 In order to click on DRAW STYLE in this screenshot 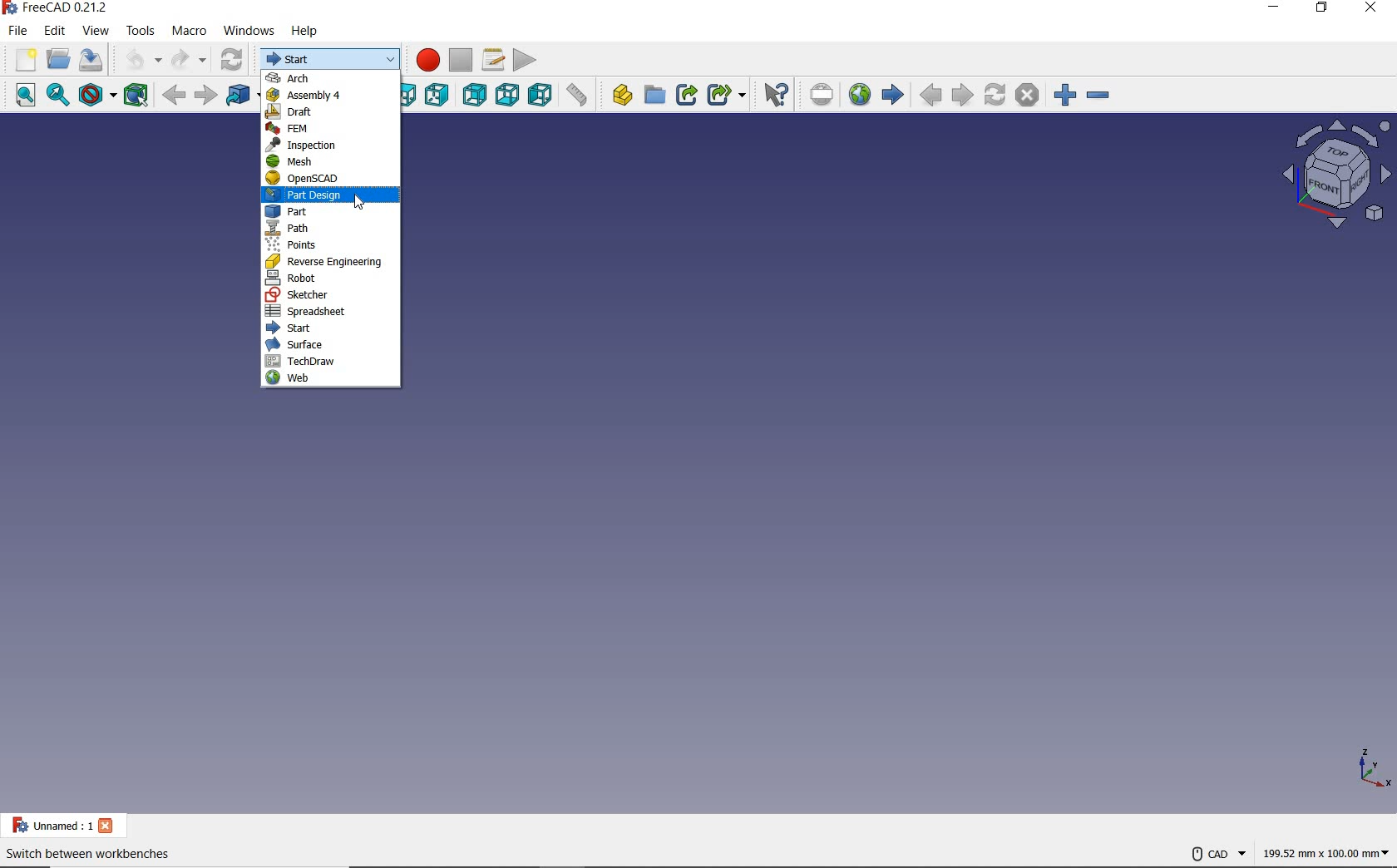, I will do `click(96, 96)`.